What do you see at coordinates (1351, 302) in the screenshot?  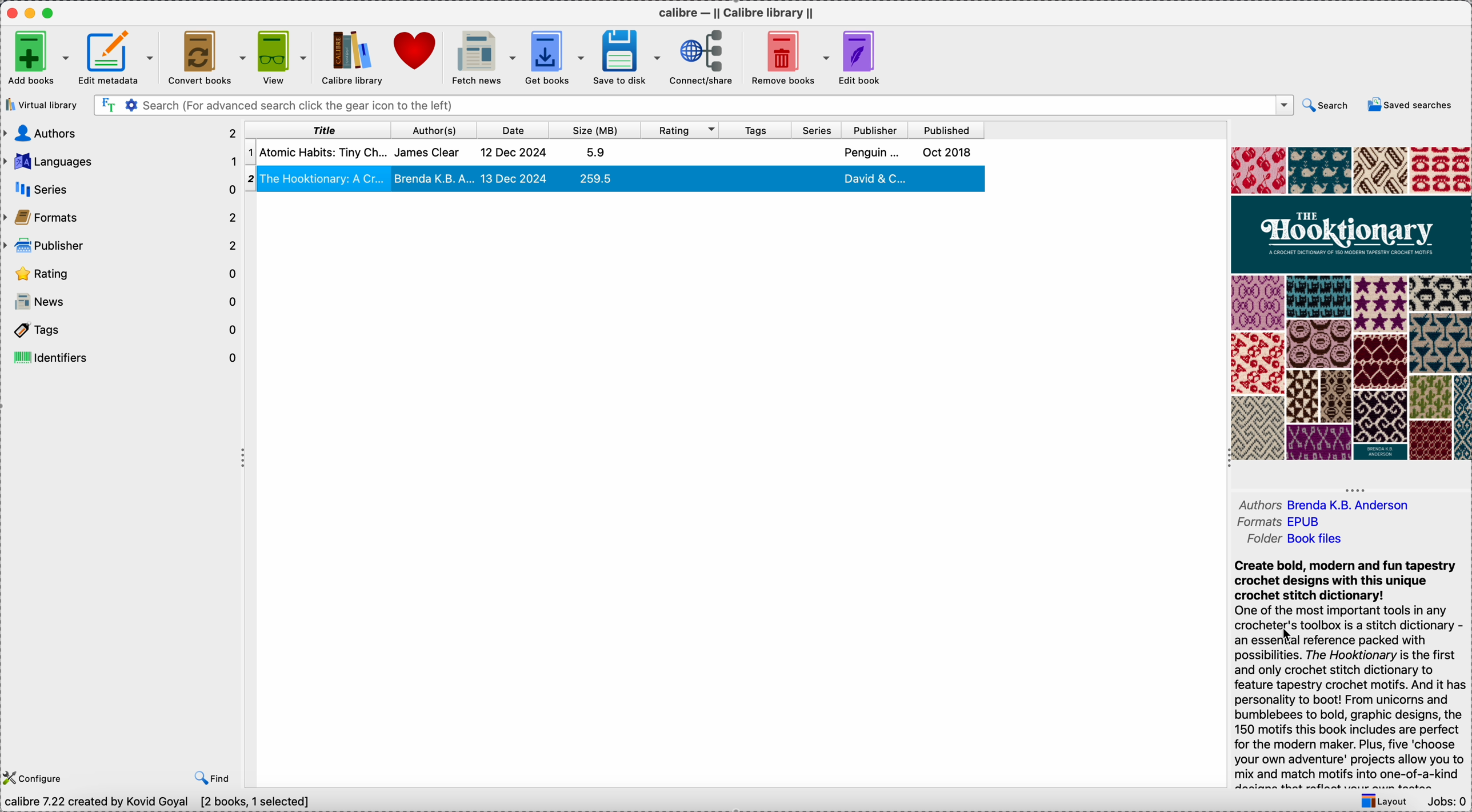 I see `book cover preview` at bounding box center [1351, 302].